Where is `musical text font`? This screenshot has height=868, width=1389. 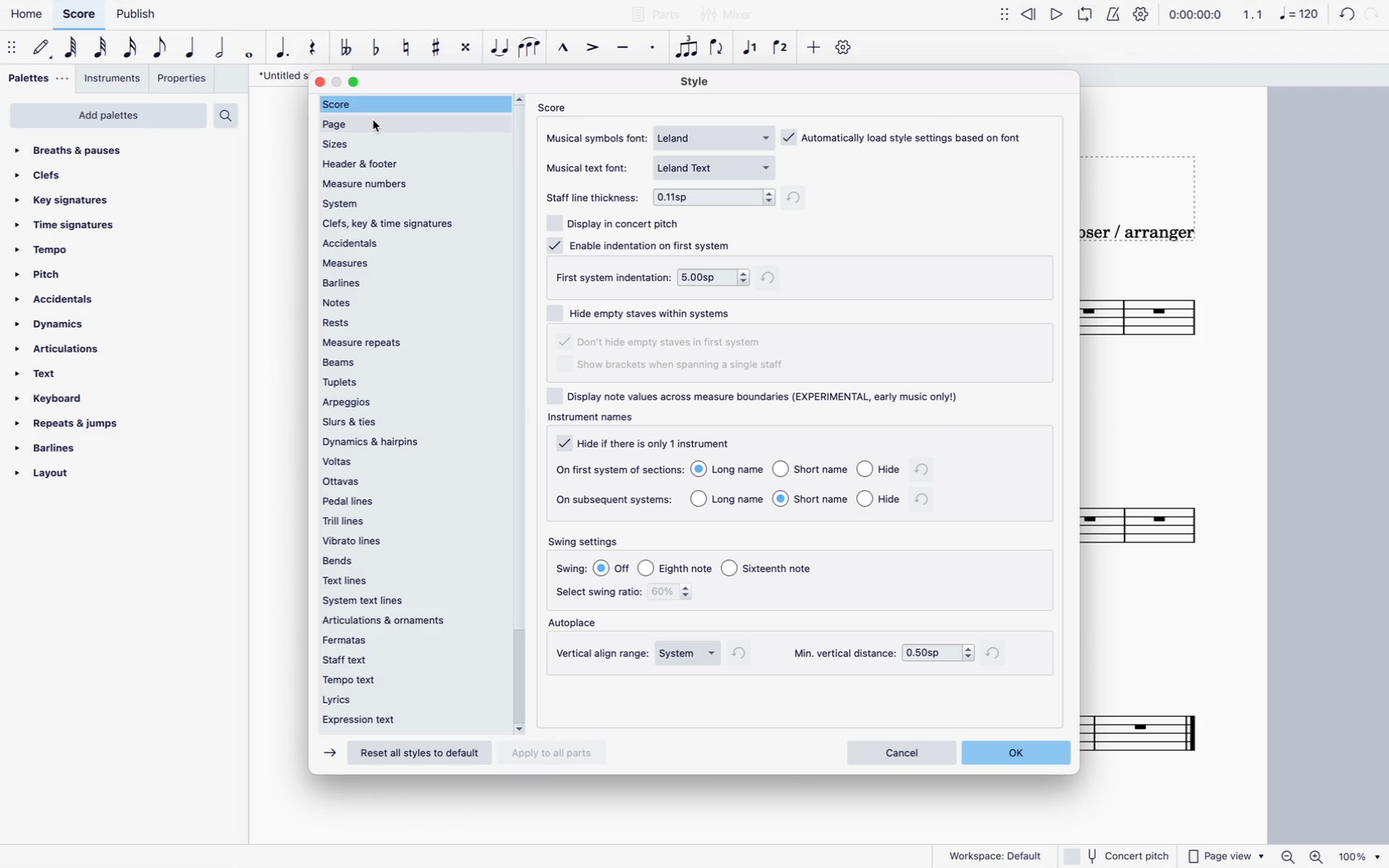 musical text font is located at coordinates (589, 168).